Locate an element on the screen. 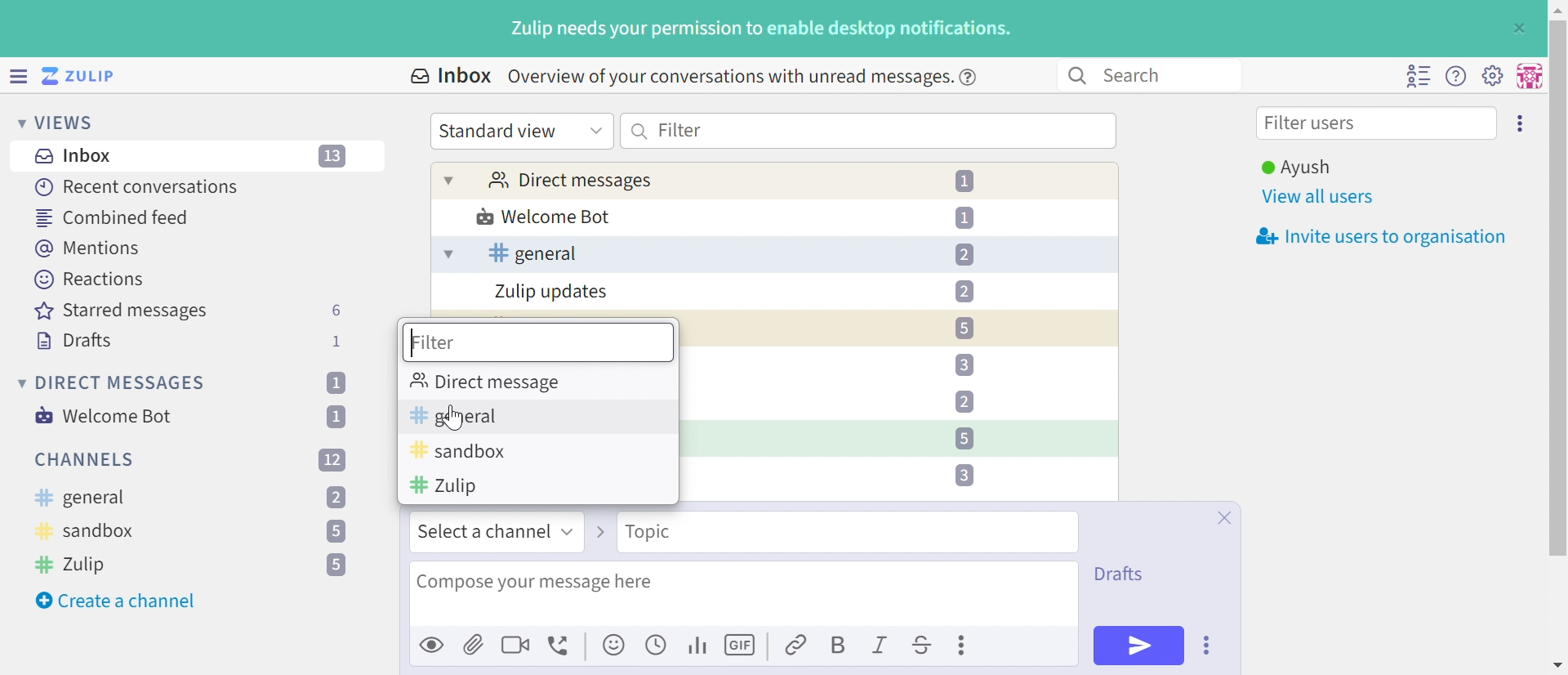 This screenshot has height=675, width=1568. Help Center is located at coordinates (973, 76).